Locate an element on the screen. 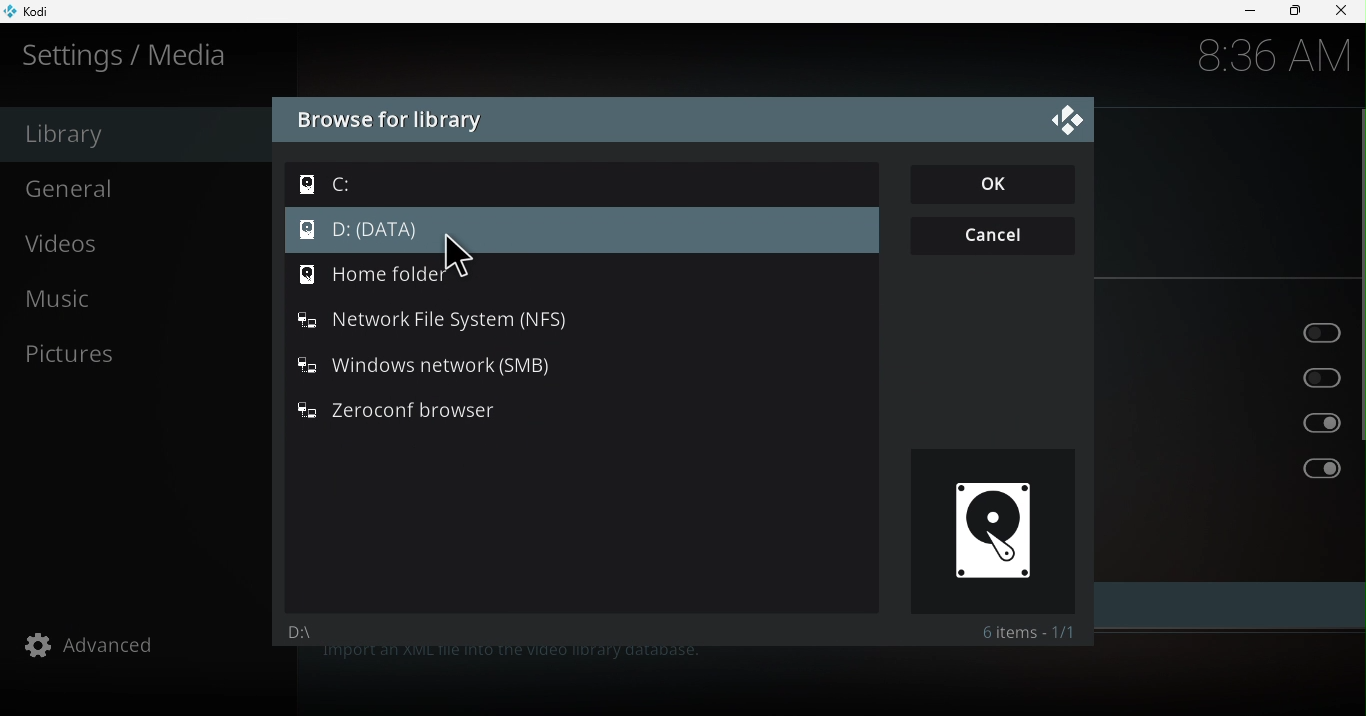  Update library on startup is located at coordinates (1226, 330).